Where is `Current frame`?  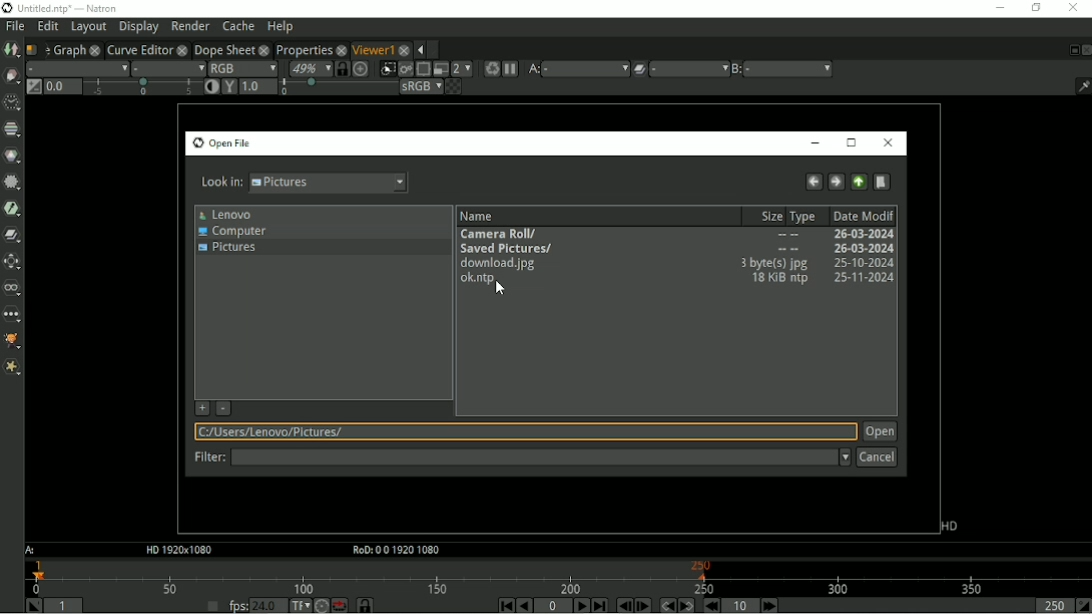 Current frame is located at coordinates (554, 606).